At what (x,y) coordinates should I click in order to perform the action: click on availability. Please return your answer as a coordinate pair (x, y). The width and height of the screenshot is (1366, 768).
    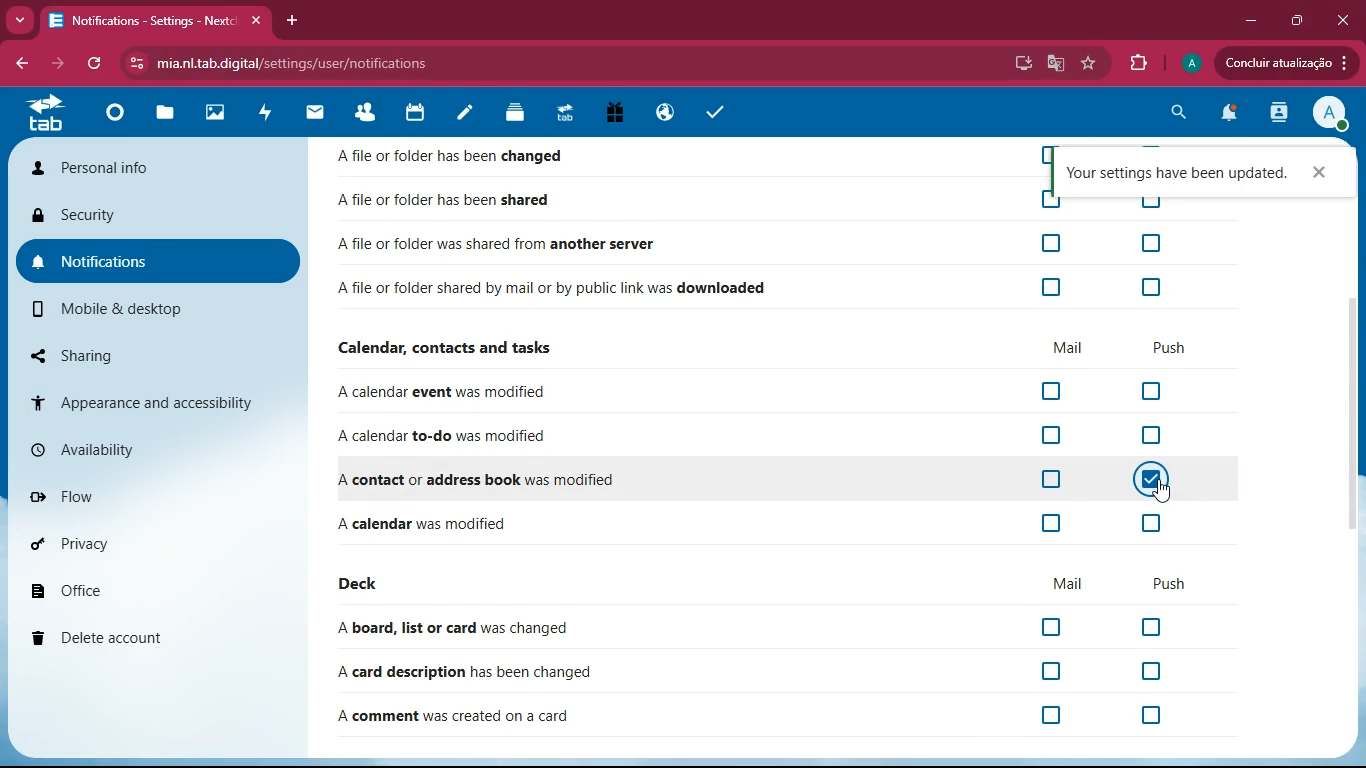
    Looking at the image, I should click on (147, 448).